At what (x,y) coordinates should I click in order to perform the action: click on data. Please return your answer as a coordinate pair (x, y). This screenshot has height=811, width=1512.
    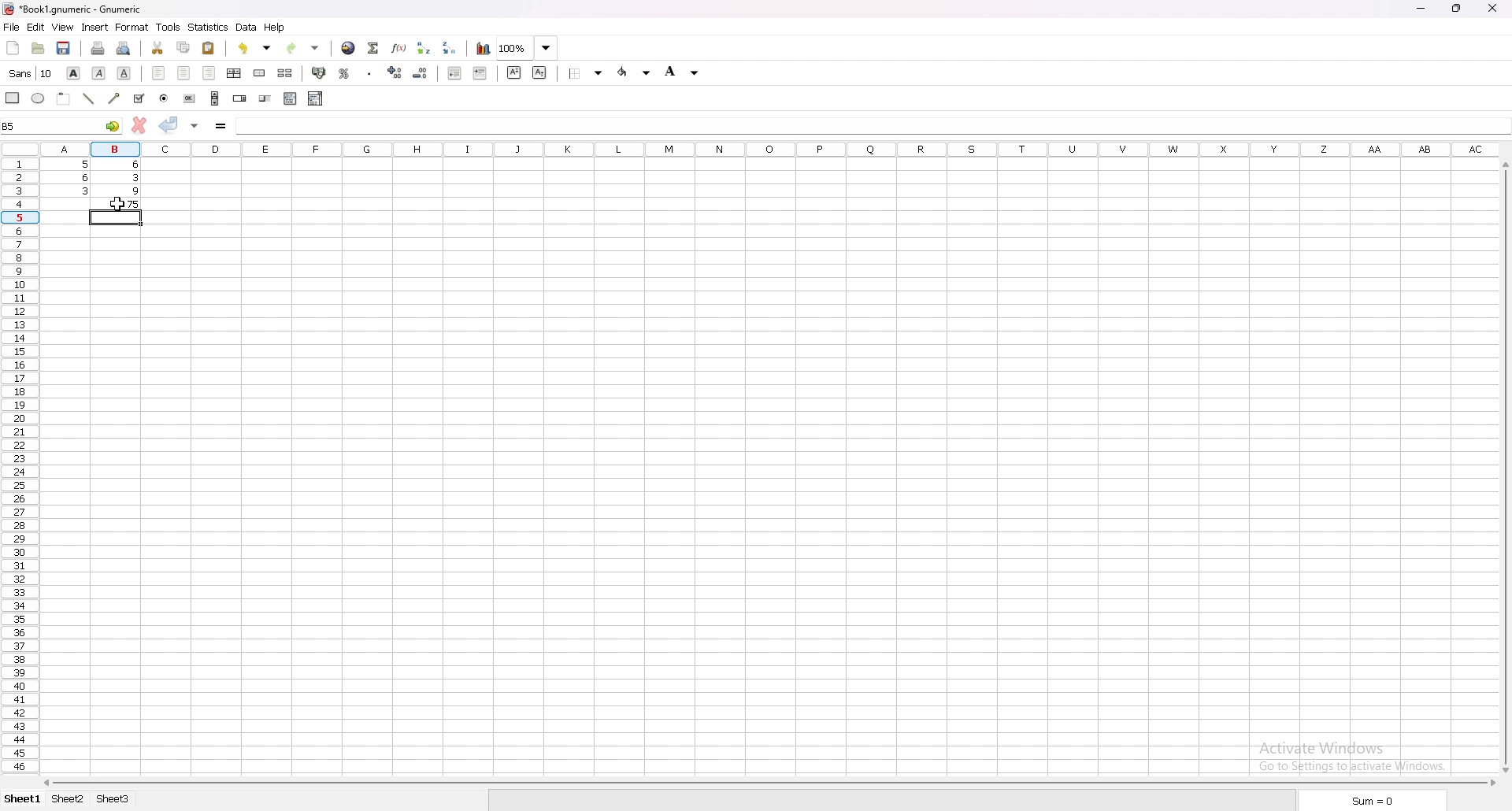
    Looking at the image, I should click on (246, 28).